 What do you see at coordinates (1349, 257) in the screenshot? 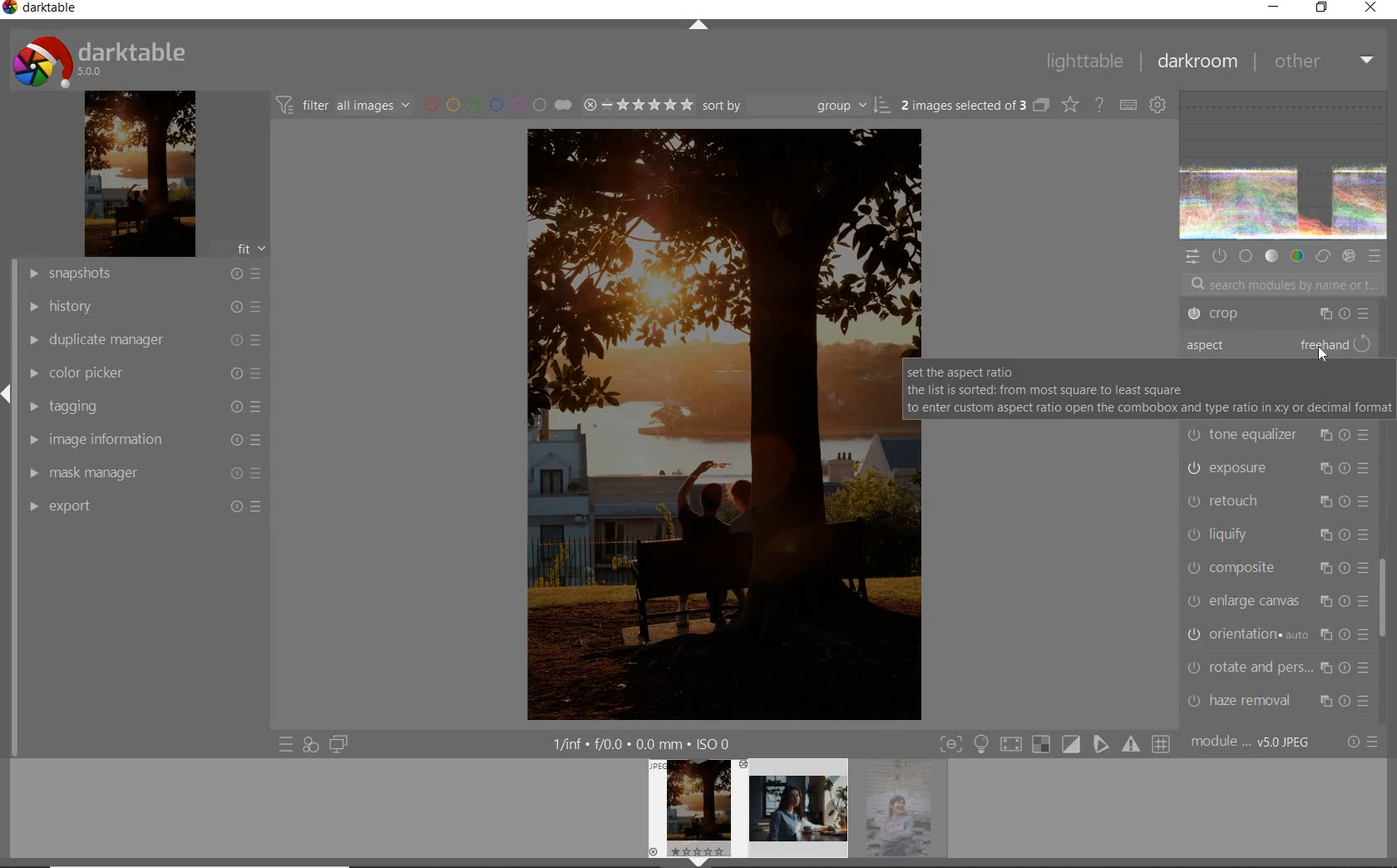
I see `effect ` at bounding box center [1349, 257].